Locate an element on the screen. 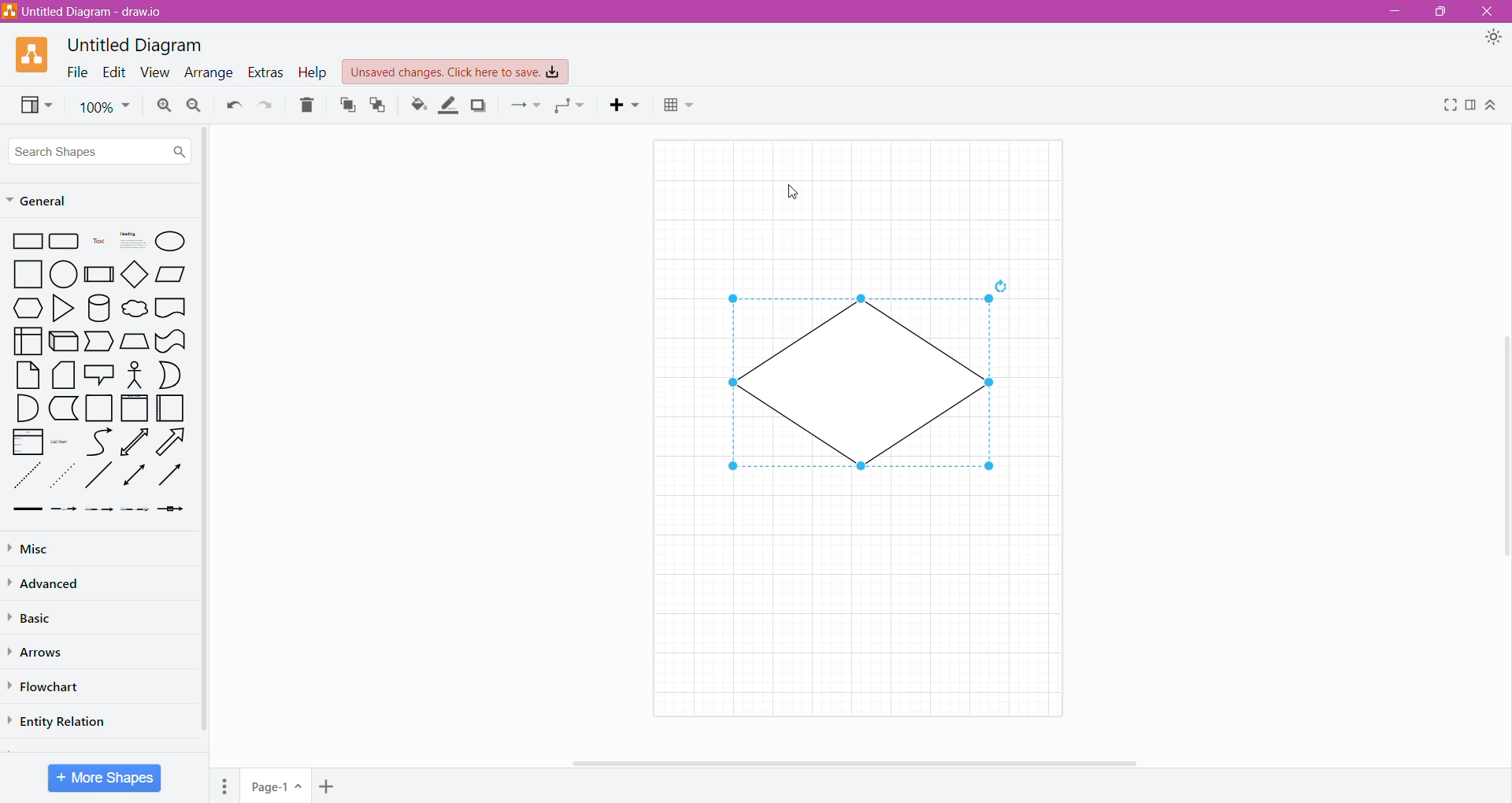 This screenshot has height=803, width=1512. Edit is located at coordinates (111, 72).